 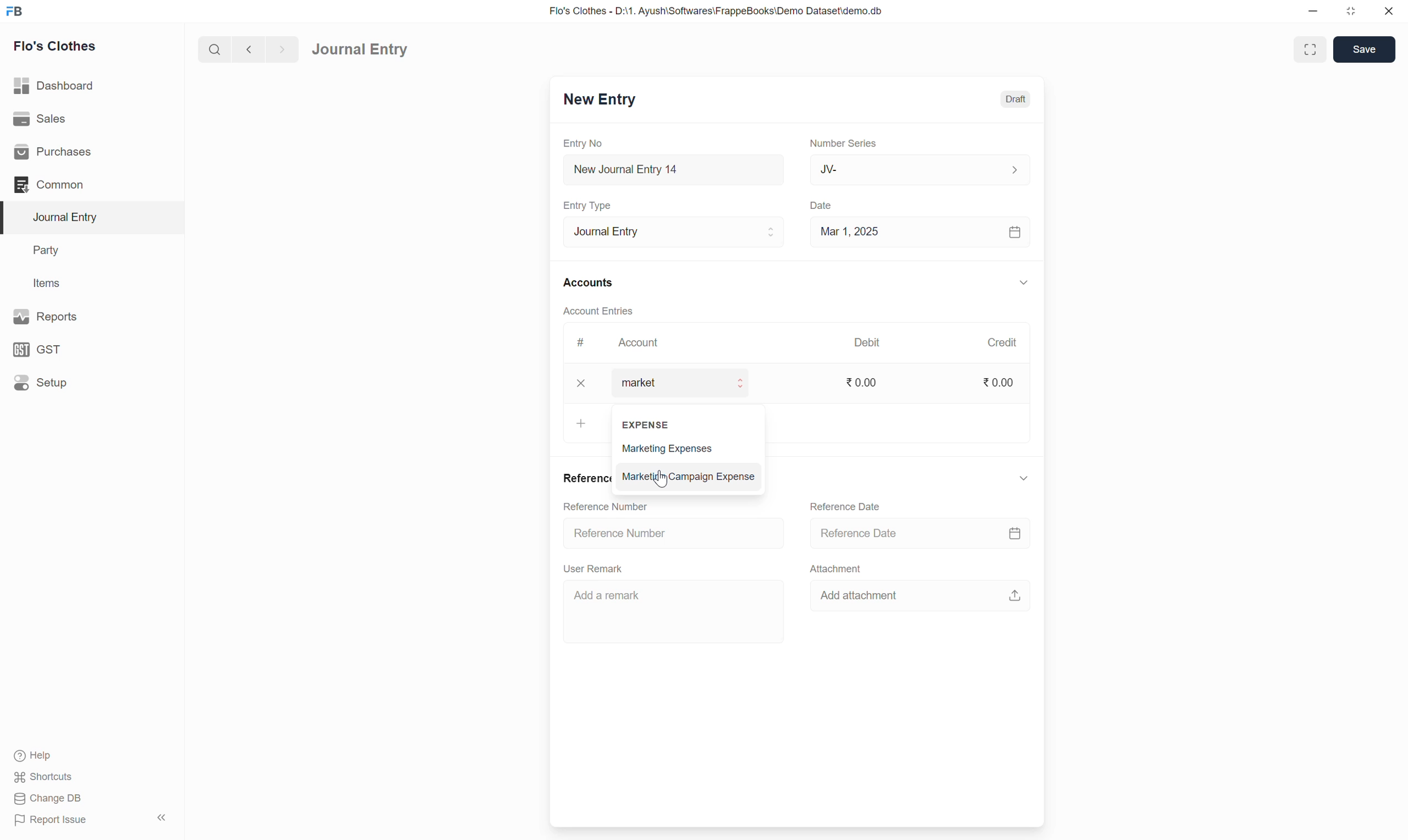 What do you see at coordinates (581, 342) in the screenshot?
I see `#` at bounding box center [581, 342].